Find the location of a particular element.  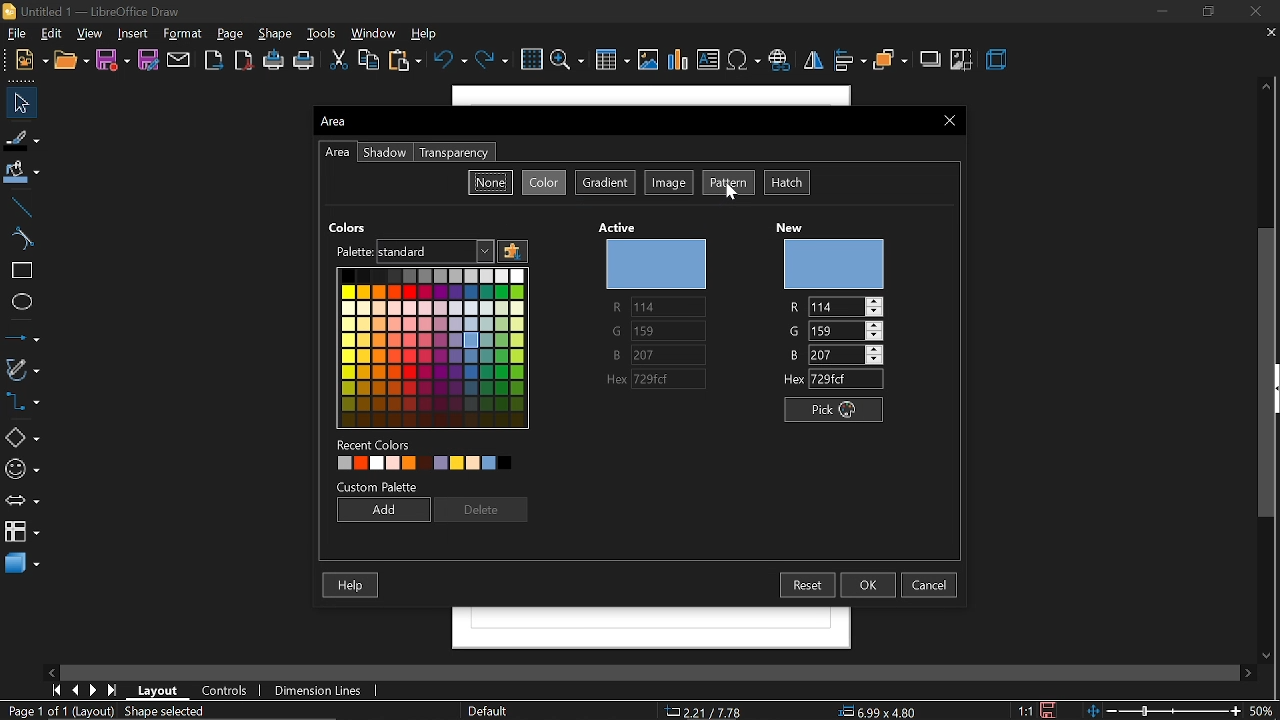

save is located at coordinates (112, 59).